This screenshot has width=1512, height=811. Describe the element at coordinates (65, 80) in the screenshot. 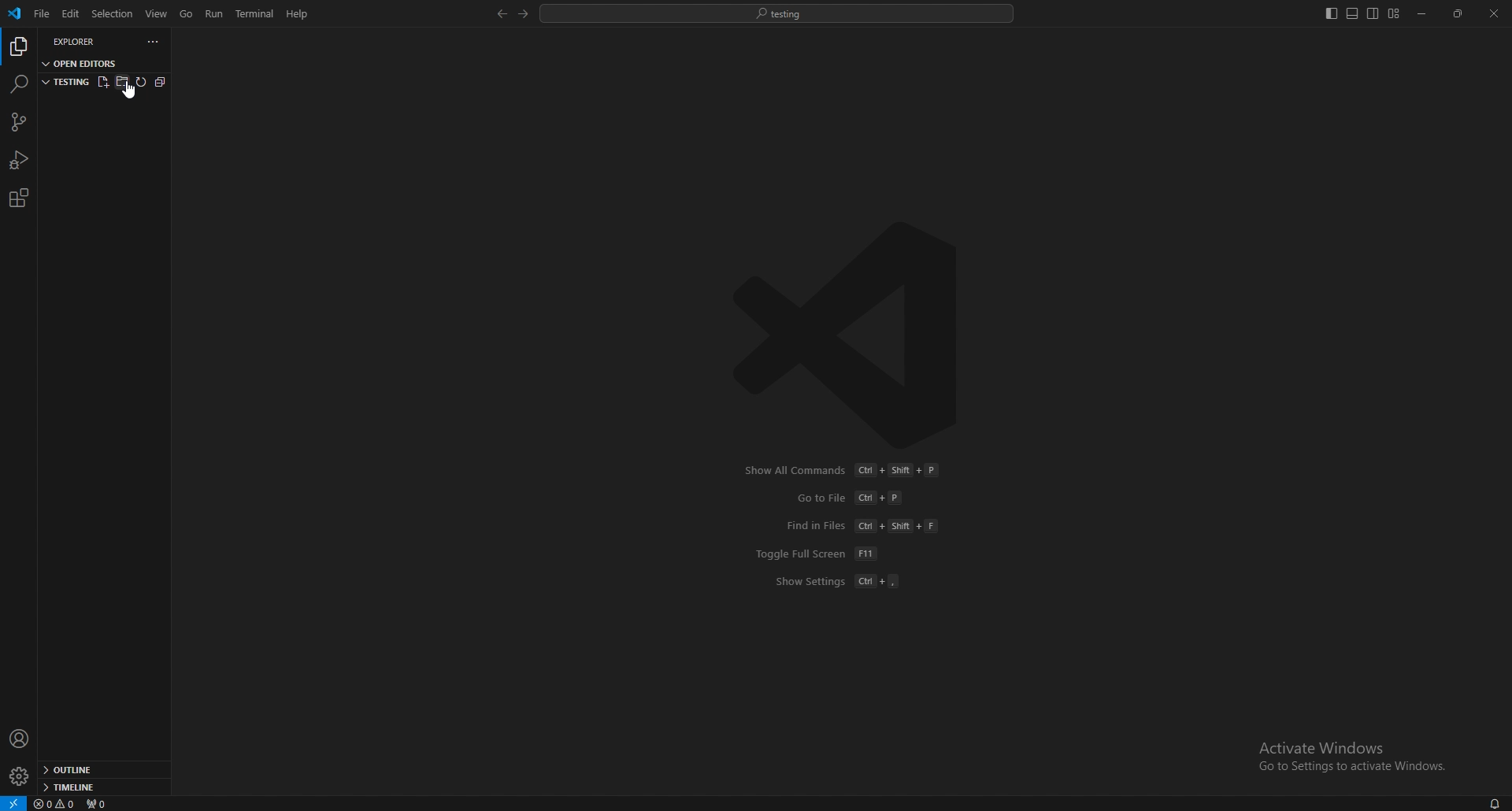

I see `folder name` at that location.